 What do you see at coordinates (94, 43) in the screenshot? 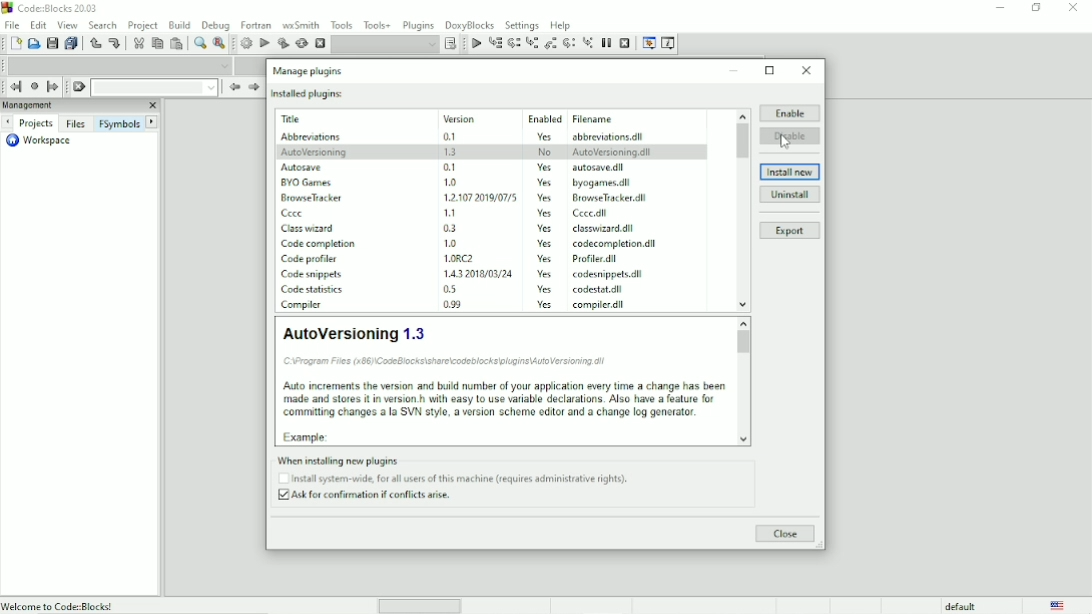
I see `Undo` at bounding box center [94, 43].